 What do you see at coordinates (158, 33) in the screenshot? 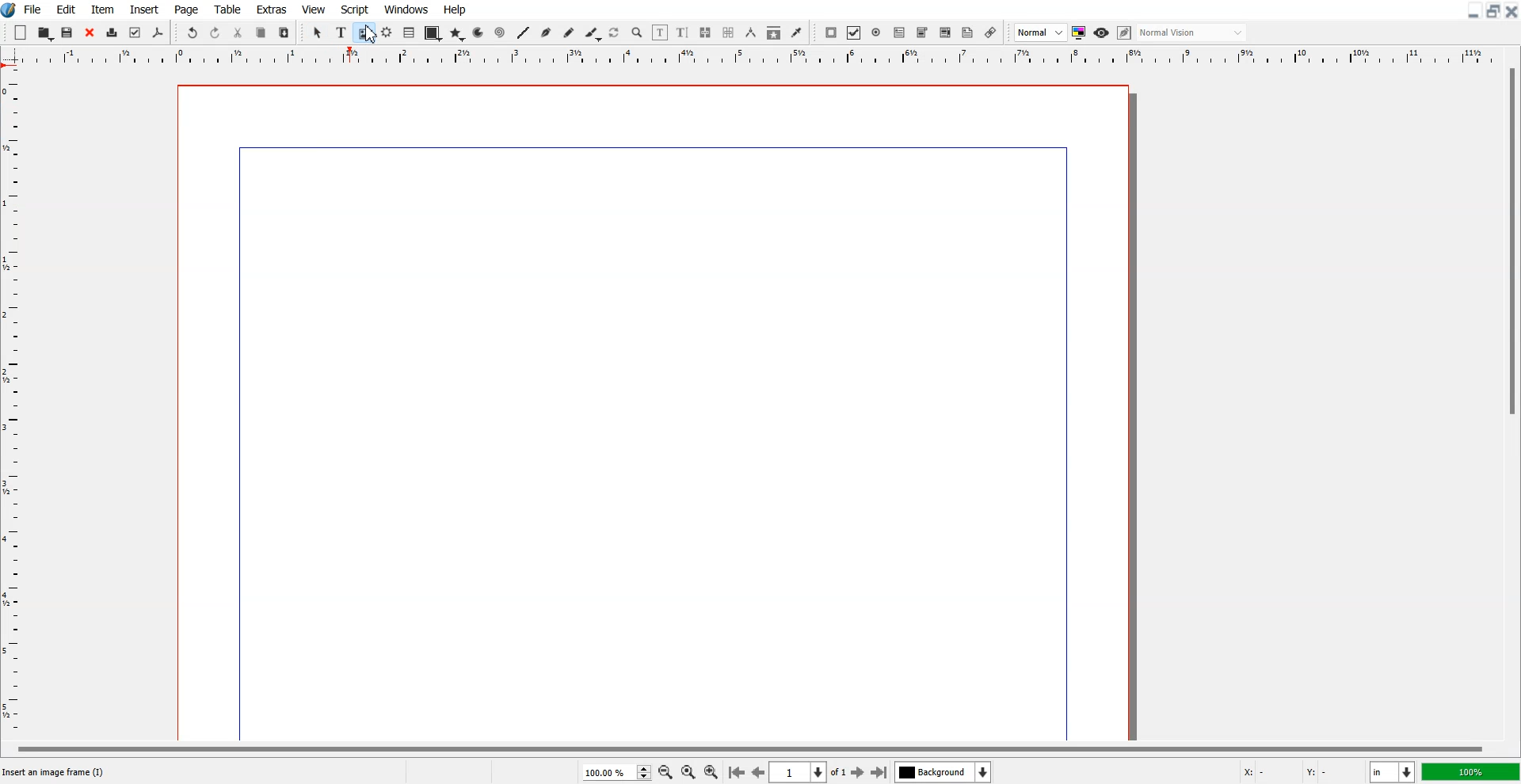
I see `Save As PDF` at bounding box center [158, 33].